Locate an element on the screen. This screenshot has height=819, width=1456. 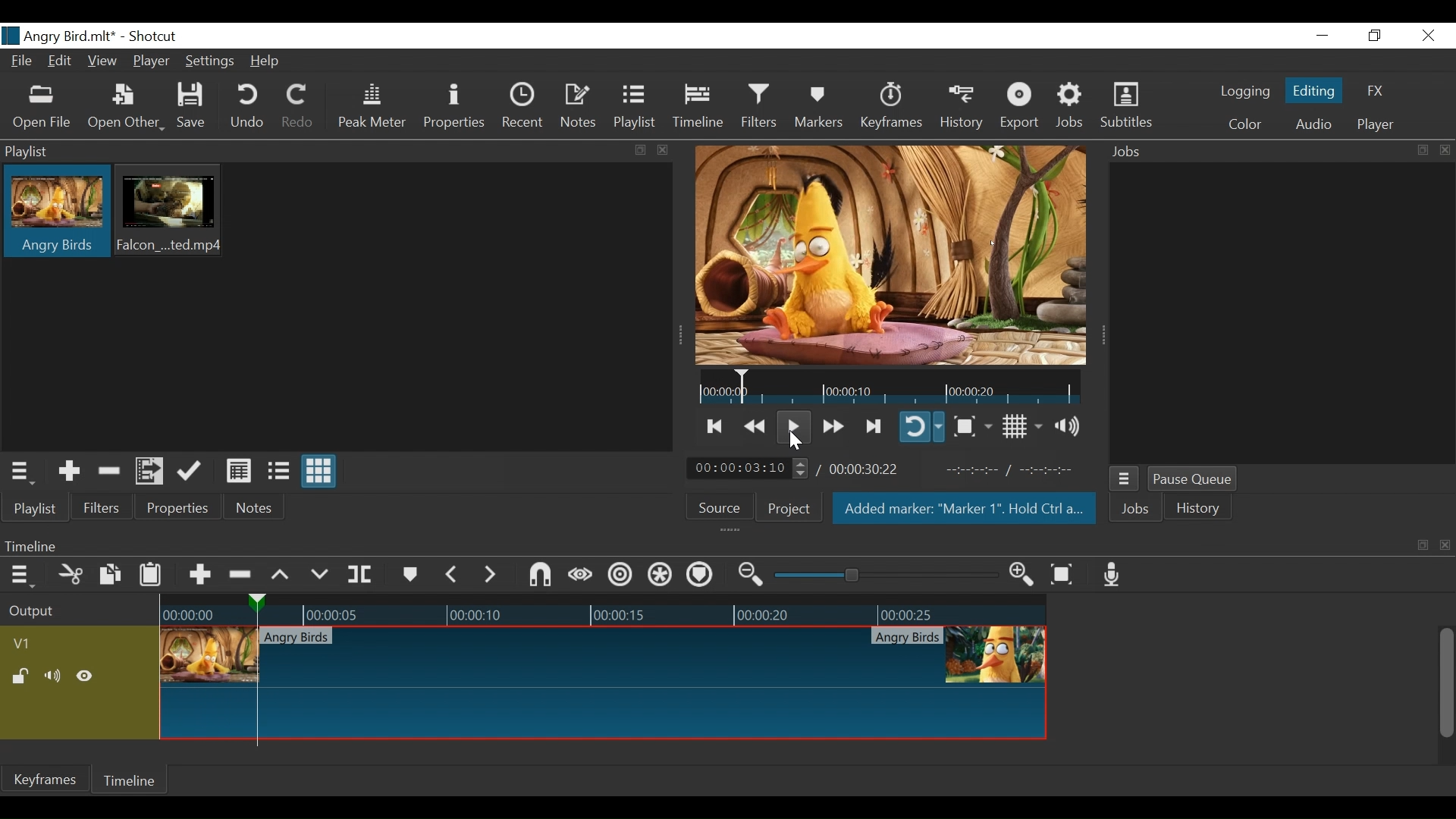
Keyframes is located at coordinates (891, 107).